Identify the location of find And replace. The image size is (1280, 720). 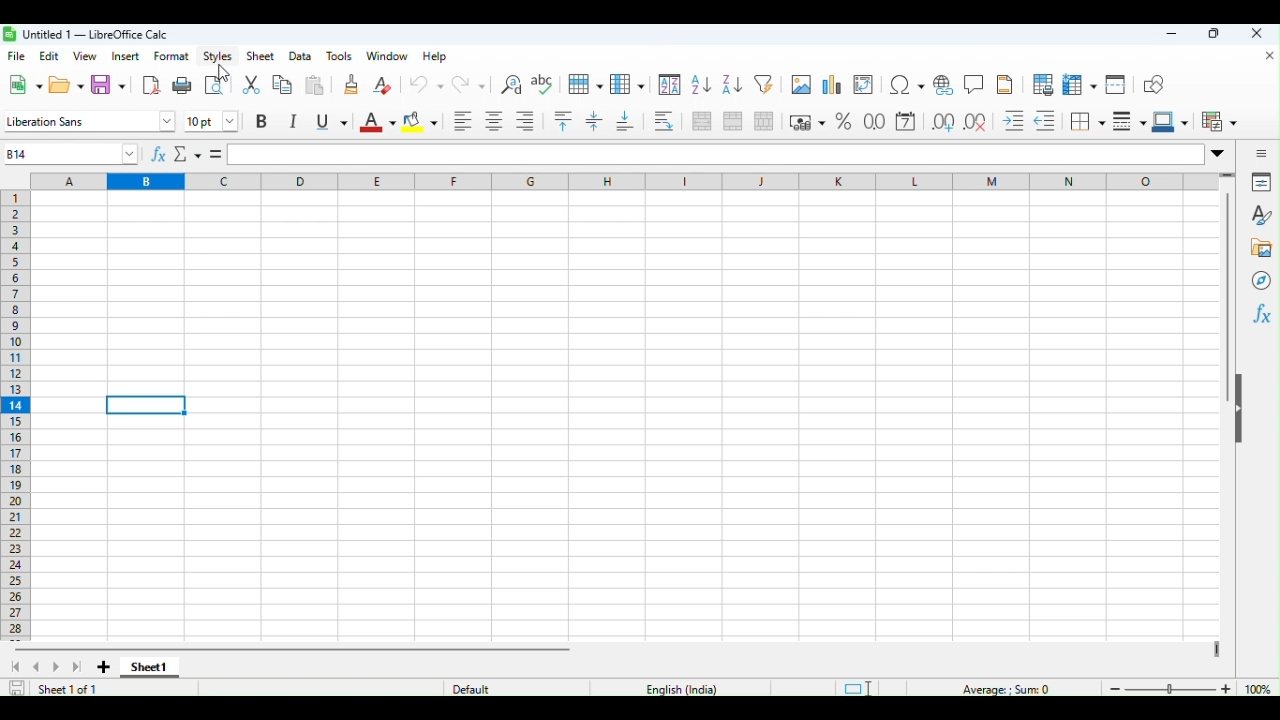
(511, 82).